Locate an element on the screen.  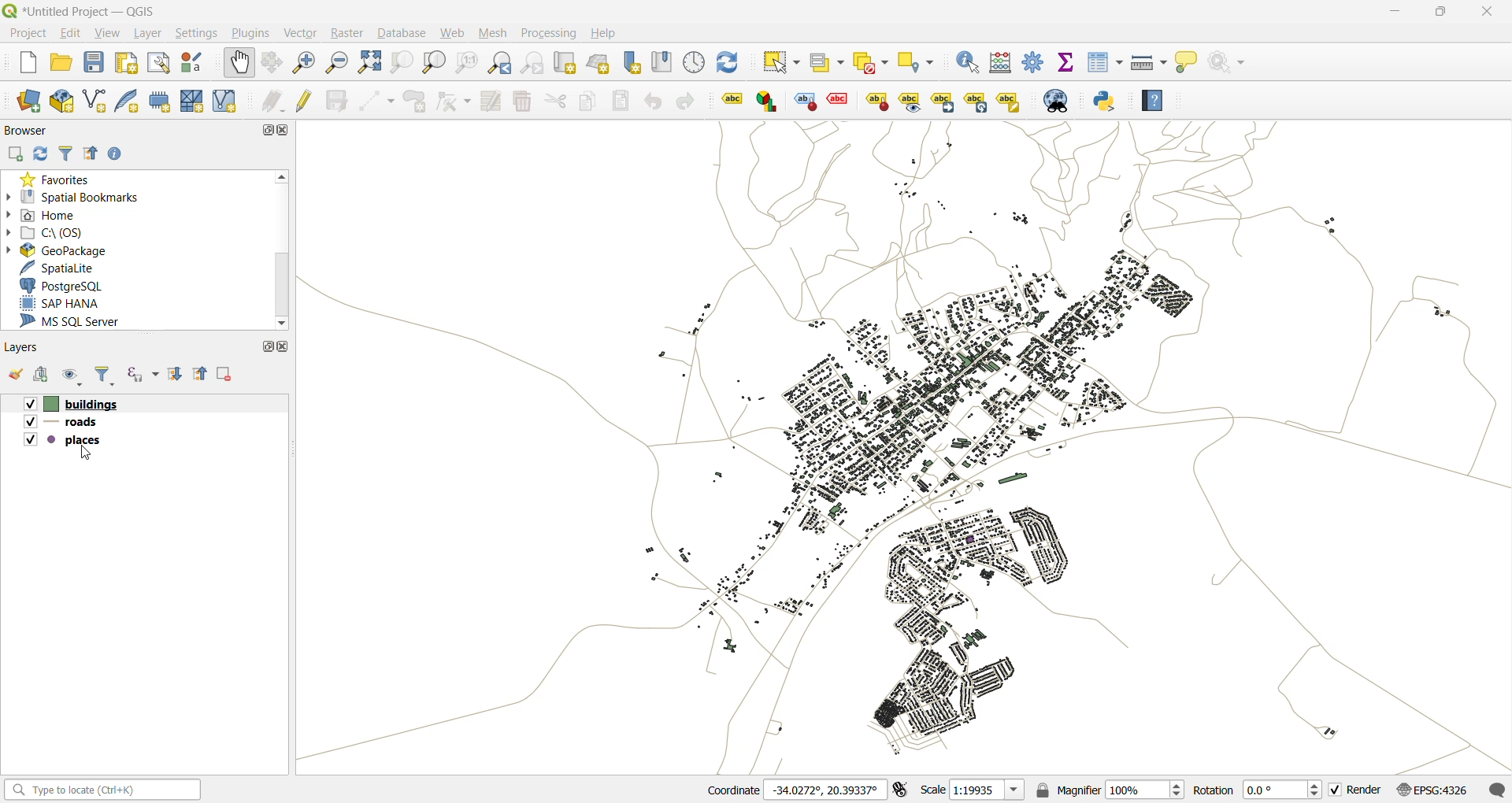
paste is located at coordinates (624, 99).